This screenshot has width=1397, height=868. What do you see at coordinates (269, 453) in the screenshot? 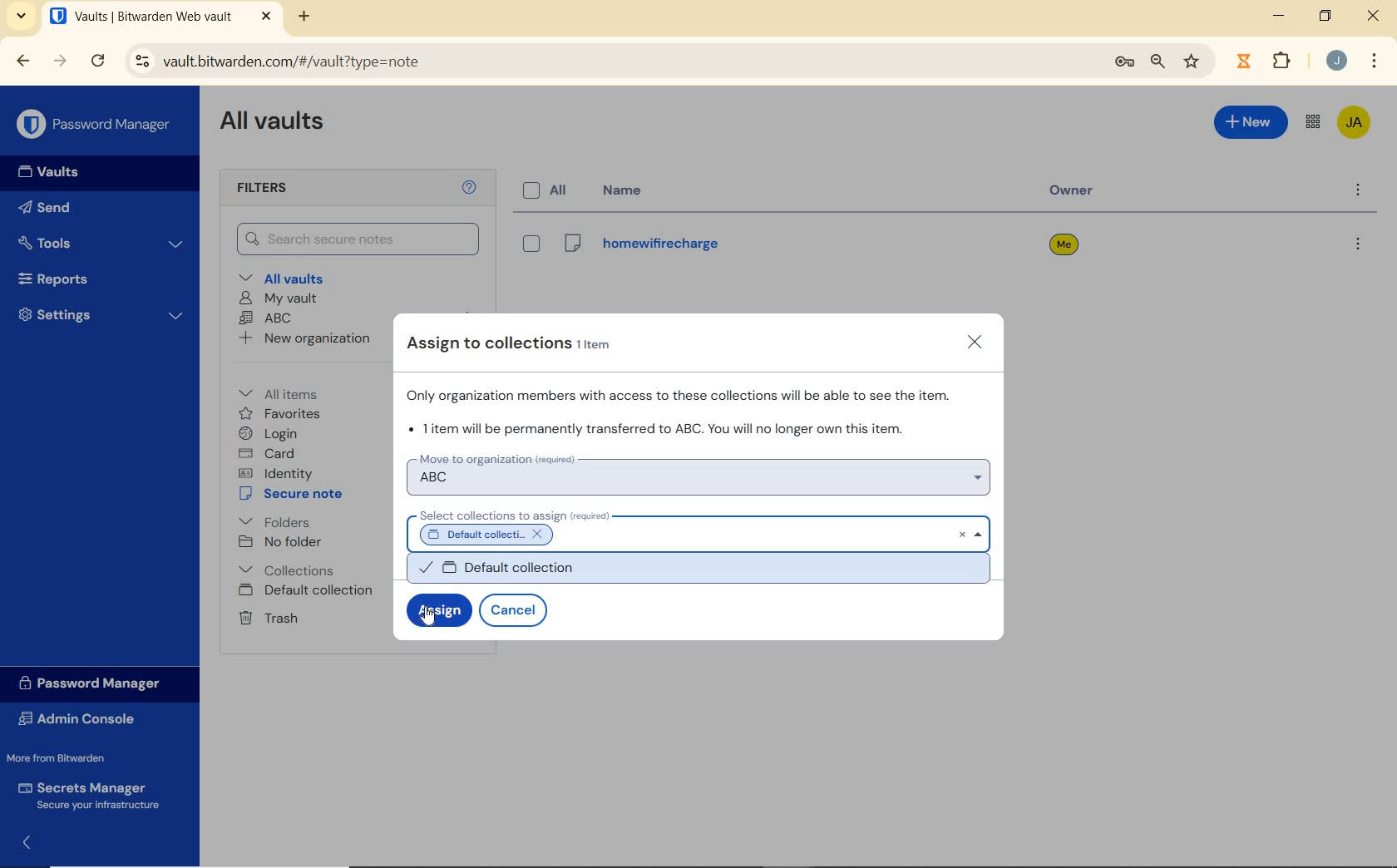
I see `card` at bounding box center [269, 453].